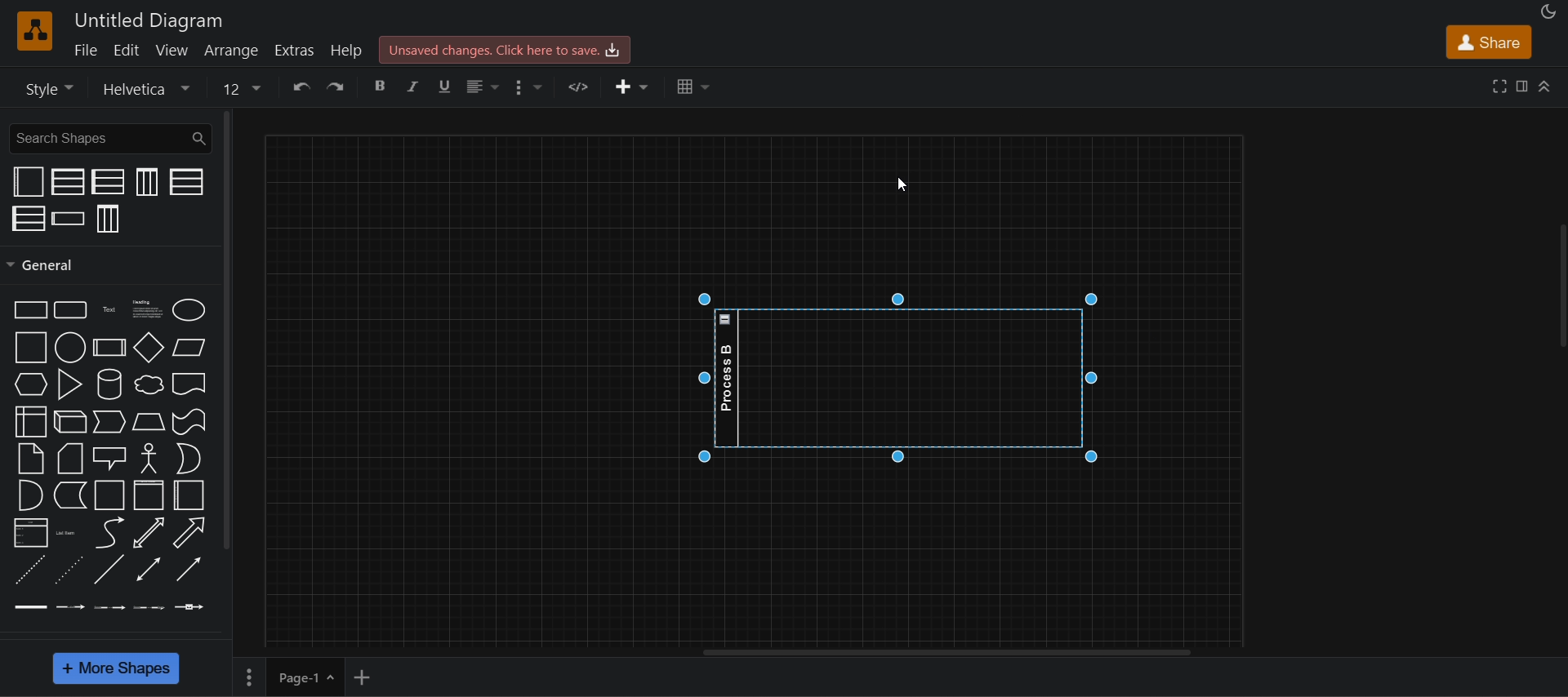 This screenshot has height=697, width=1568. What do you see at coordinates (109, 568) in the screenshot?
I see `line` at bounding box center [109, 568].